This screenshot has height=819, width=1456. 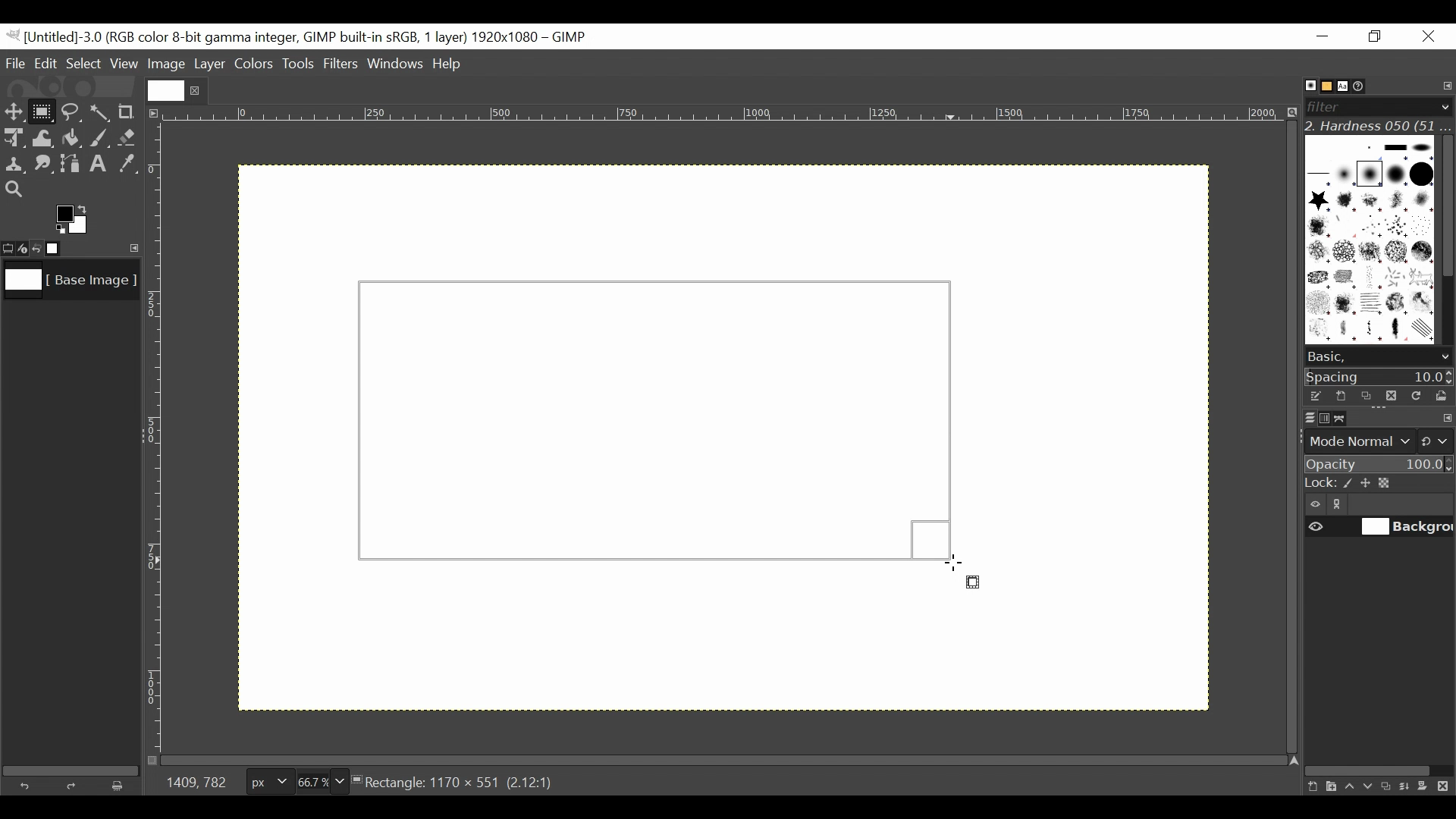 What do you see at coordinates (129, 165) in the screenshot?
I see `Color picker tool` at bounding box center [129, 165].